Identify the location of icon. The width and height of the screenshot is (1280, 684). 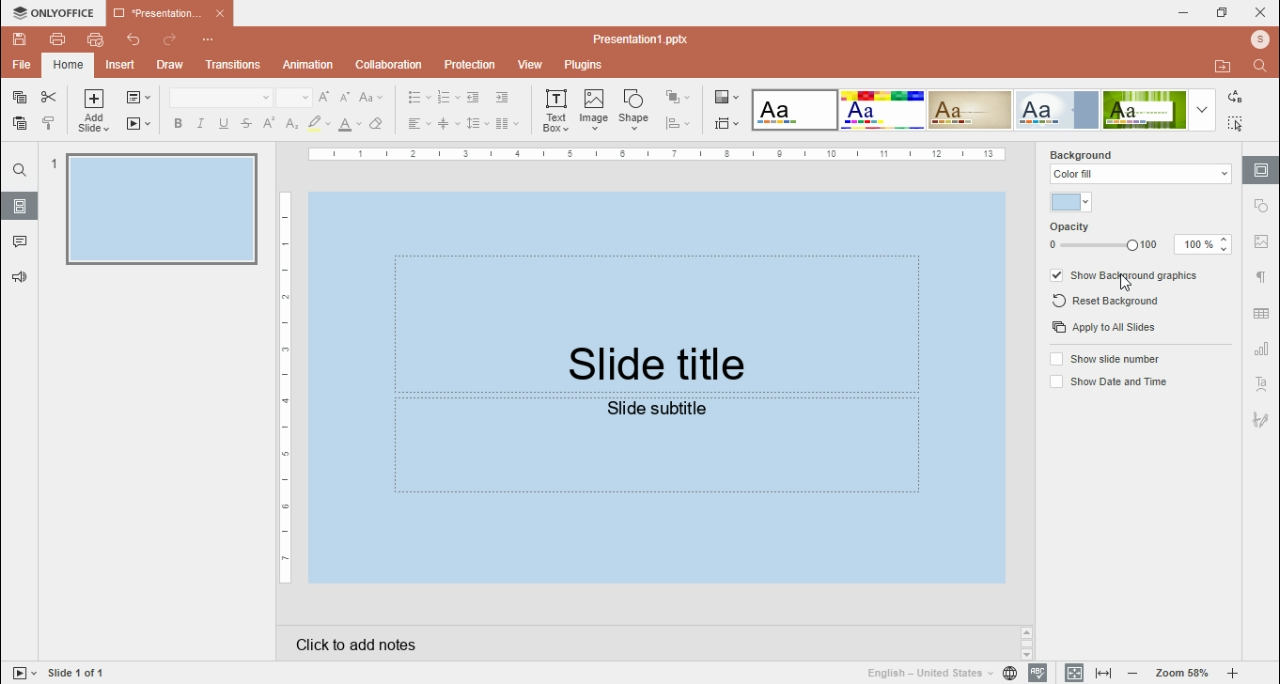
(52, 12).